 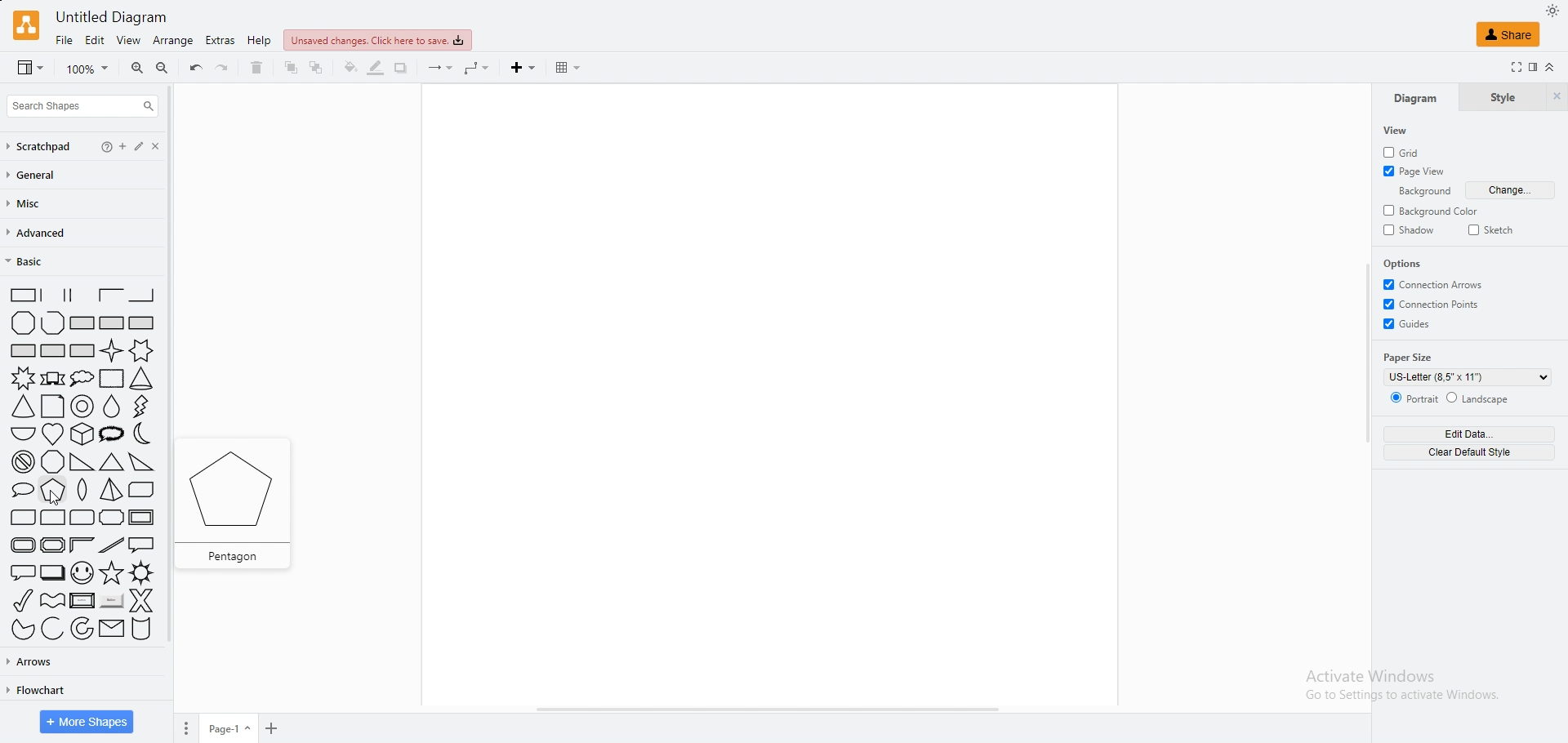 I want to click on more shapes, so click(x=87, y=722).